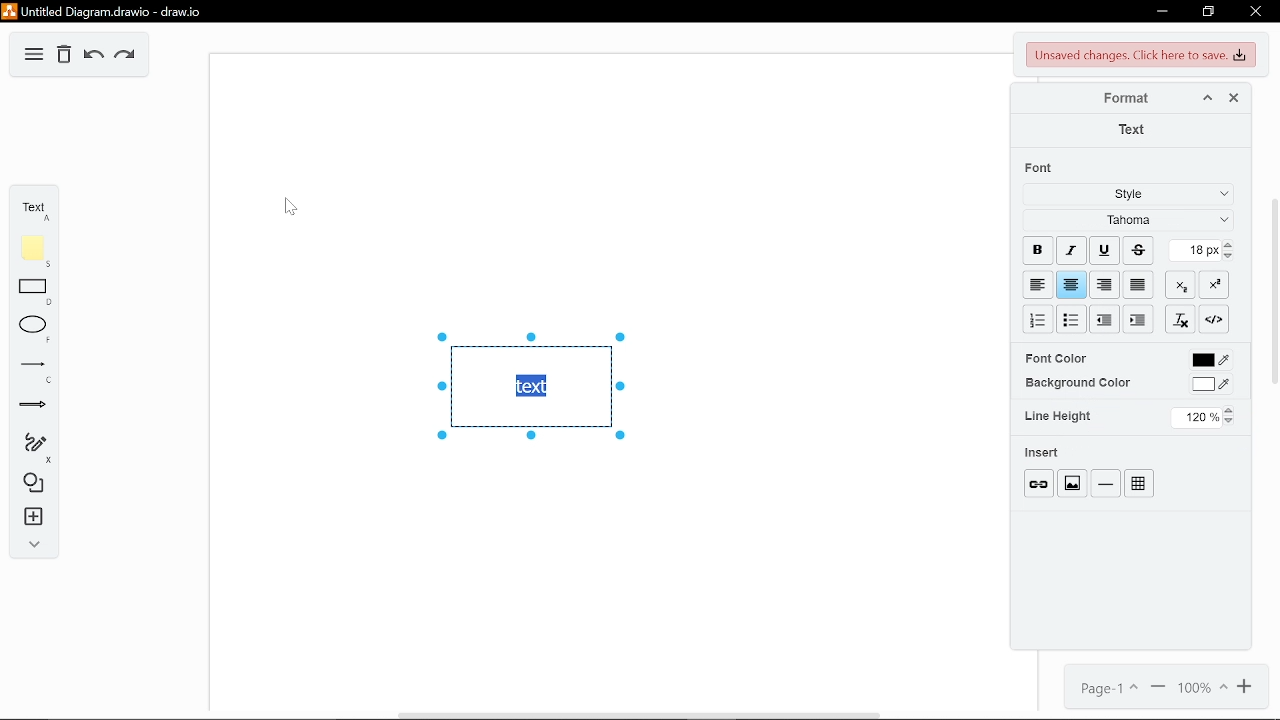  Describe the element at coordinates (1206, 99) in the screenshot. I see `collapse` at that location.